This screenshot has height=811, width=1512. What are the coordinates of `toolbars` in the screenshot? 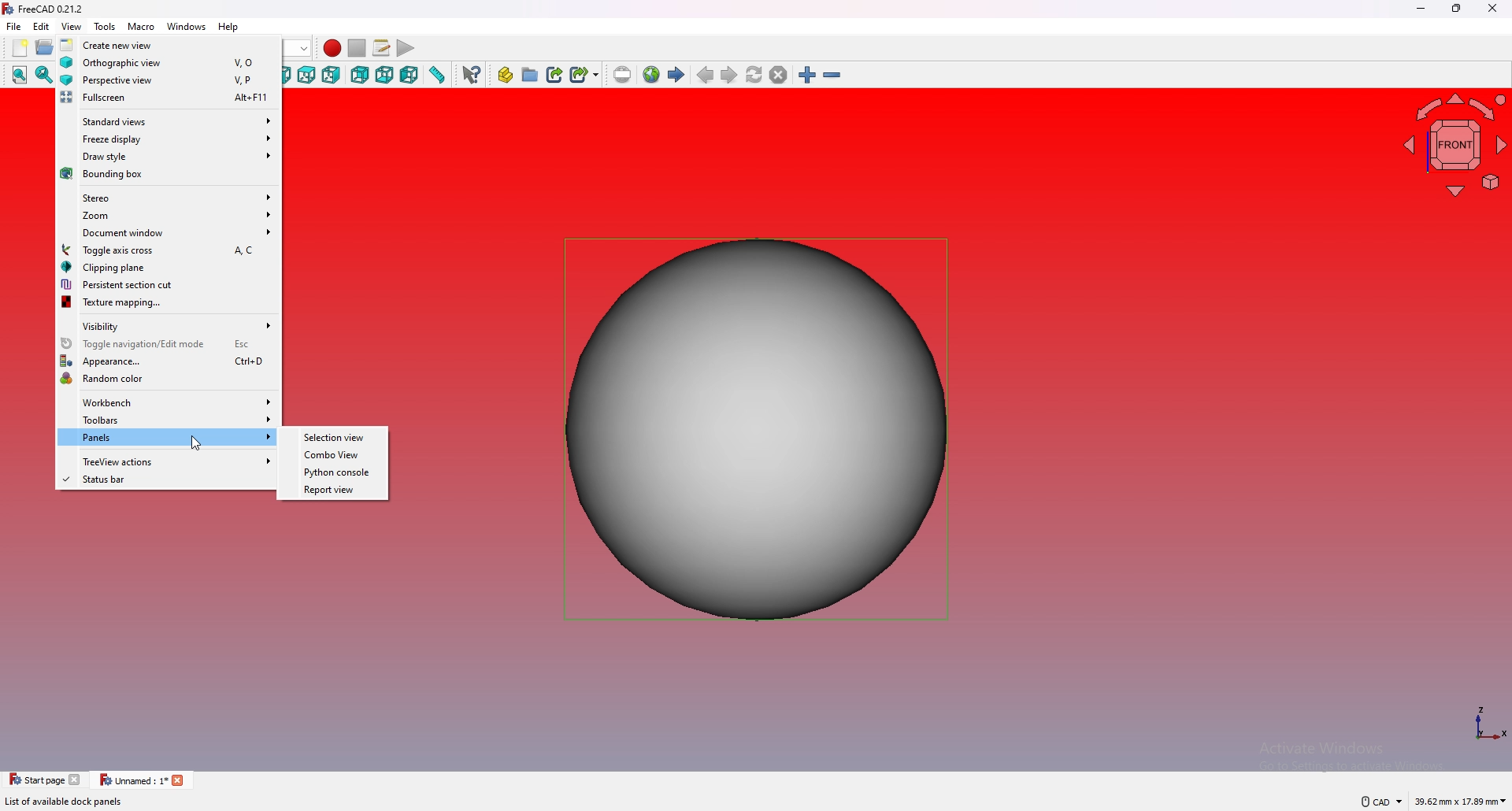 It's located at (169, 420).